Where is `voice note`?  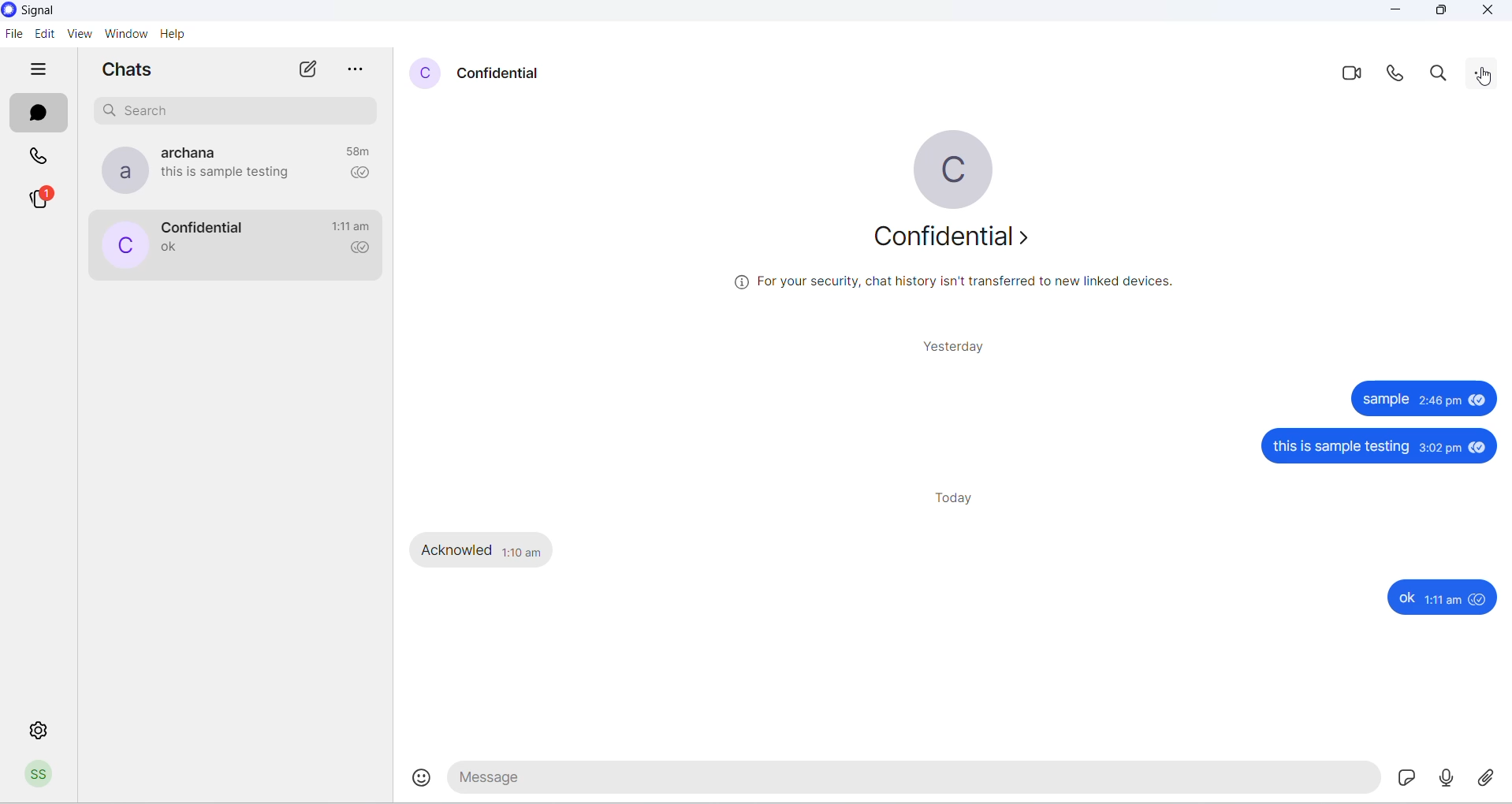 voice note is located at coordinates (1448, 780).